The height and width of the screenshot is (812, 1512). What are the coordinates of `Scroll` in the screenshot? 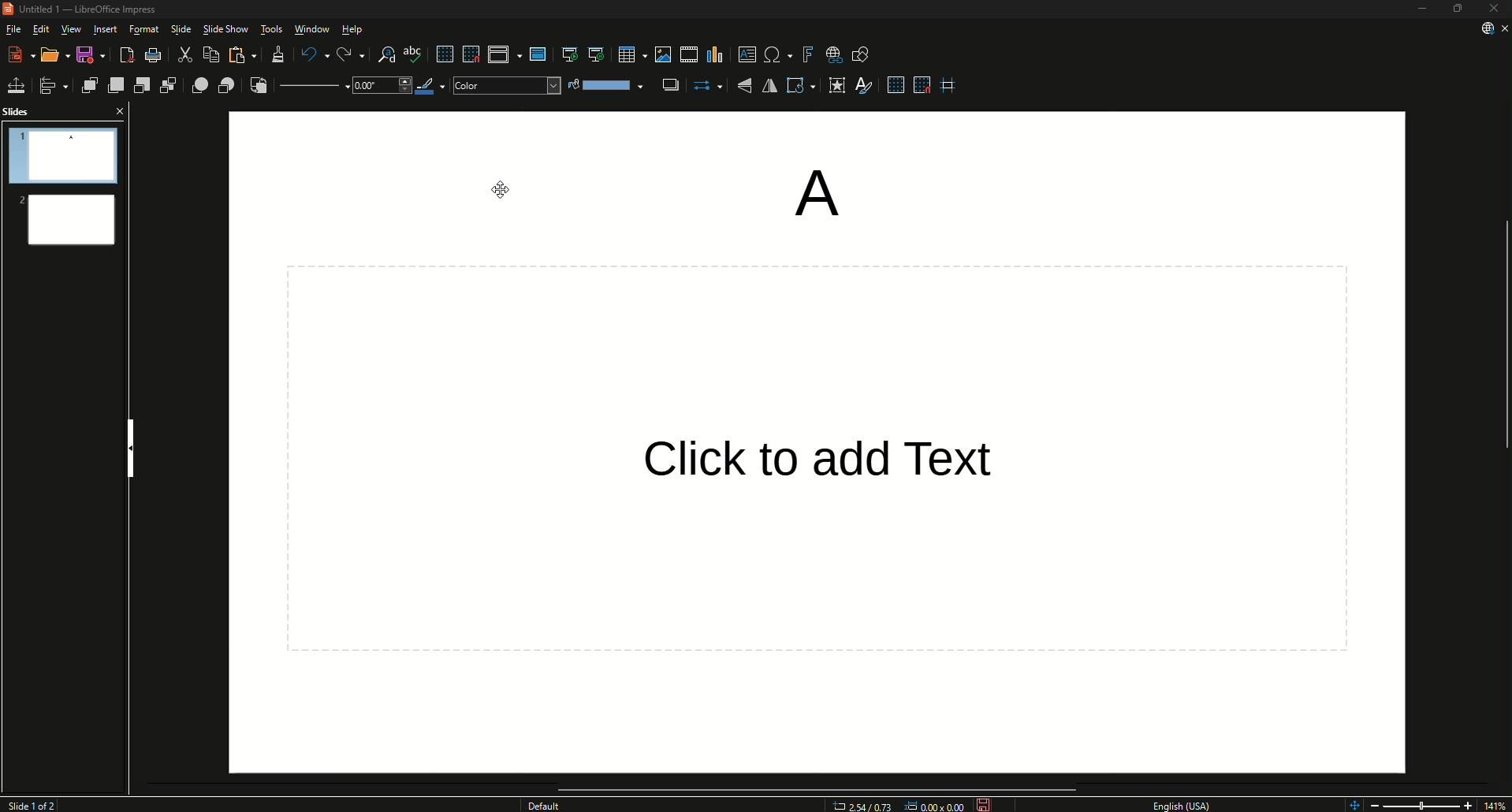 It's located at (814, 786).